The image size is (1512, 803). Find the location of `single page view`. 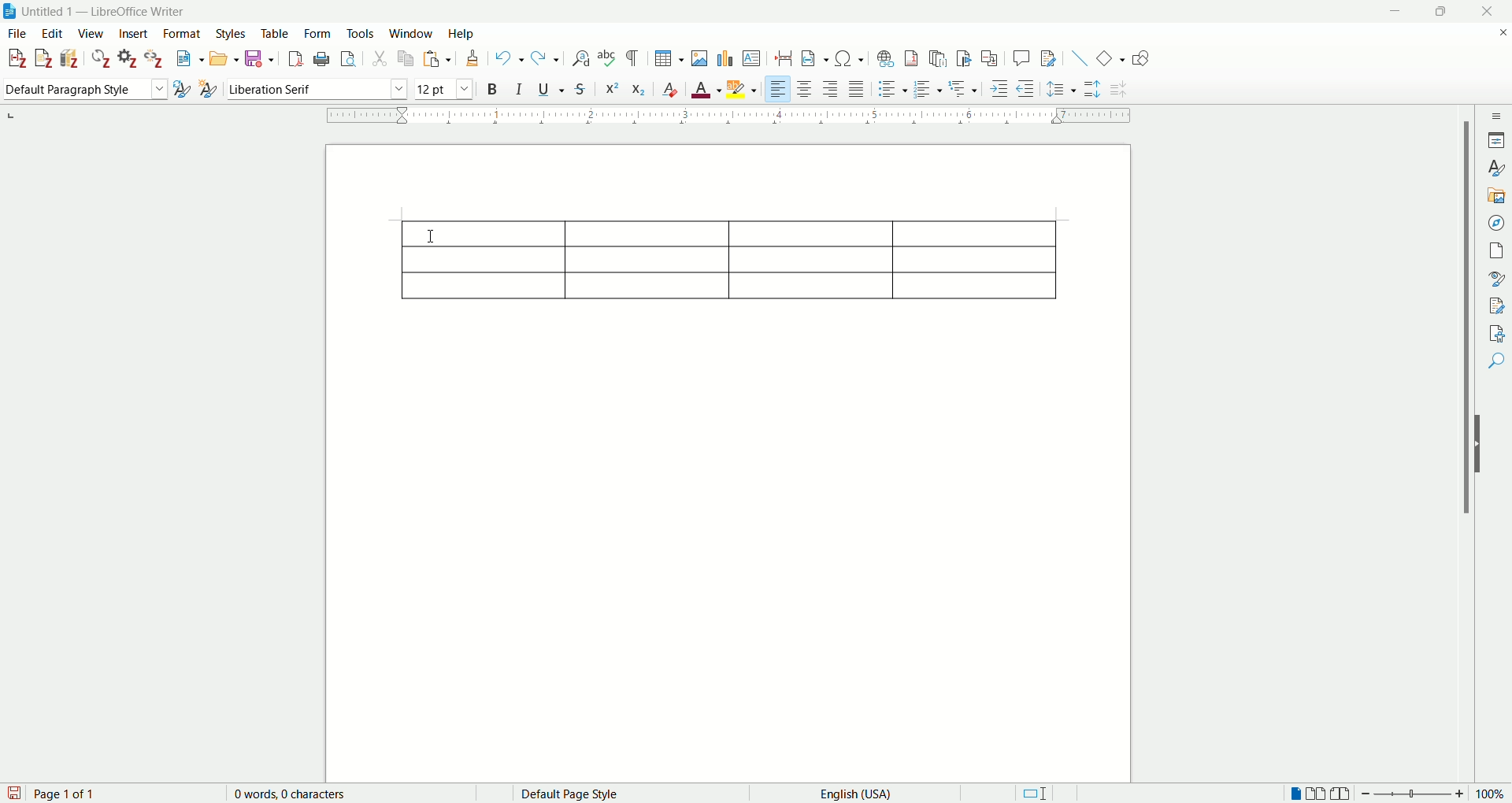

single page view is located at coordinates (1295, 793).